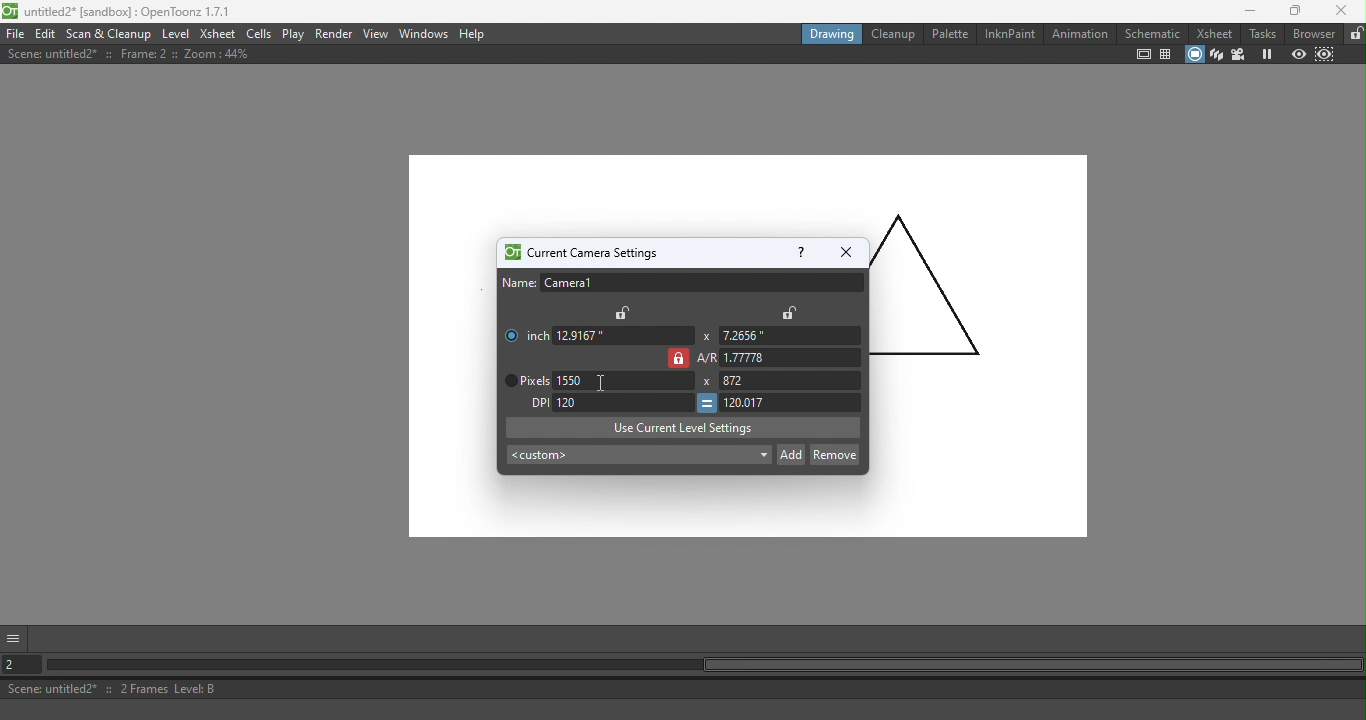 This screenshot has width=1366, height=720. What do you see at coordinates (979, 389) in the screenshot?
I see `canvas` at bounding box center [979, 389].